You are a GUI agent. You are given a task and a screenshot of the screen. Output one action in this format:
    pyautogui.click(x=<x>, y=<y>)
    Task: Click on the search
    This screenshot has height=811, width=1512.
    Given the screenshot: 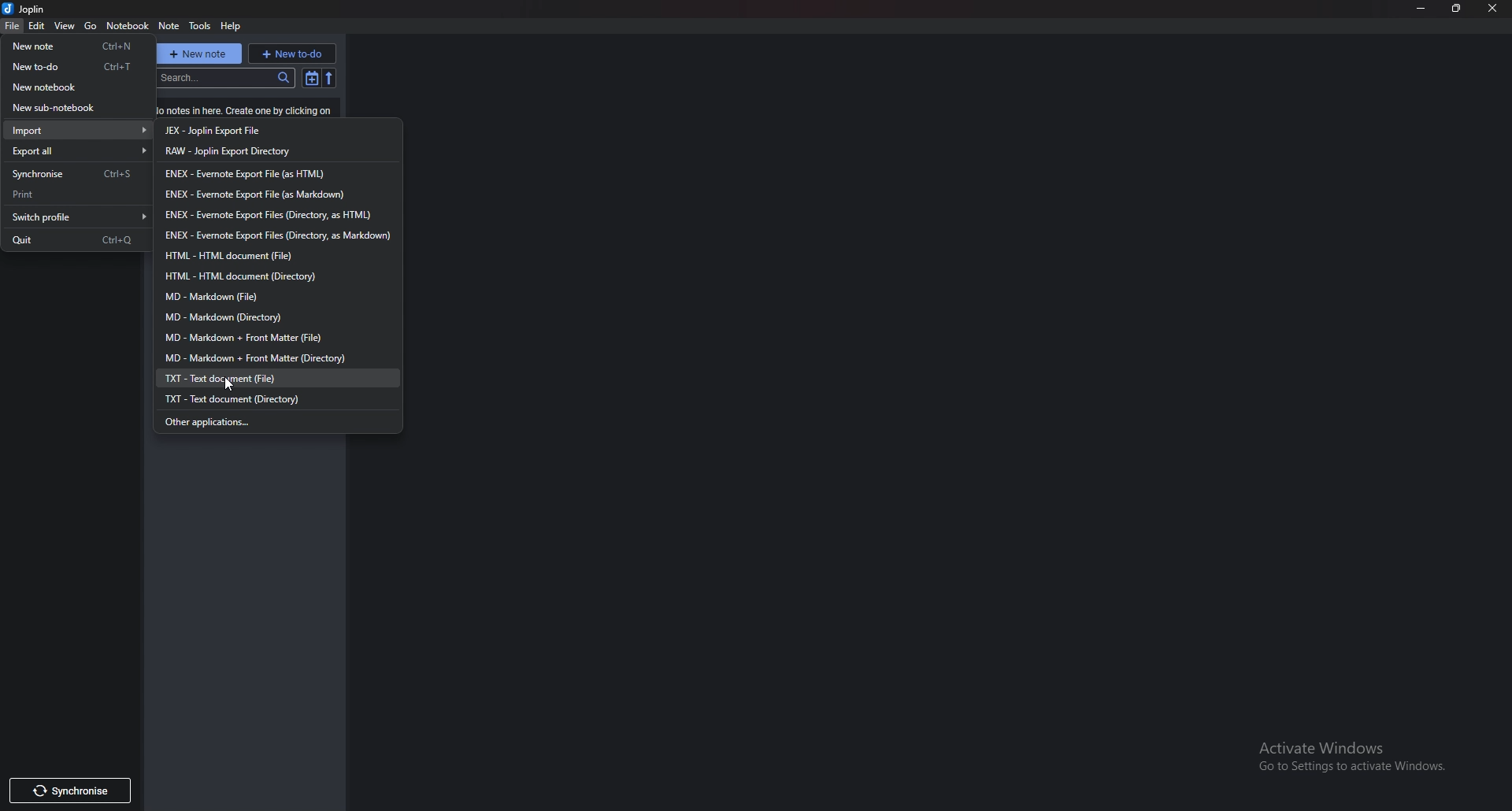 What is the action you would take?
    pyautogui.click(x=226, y=80)
    